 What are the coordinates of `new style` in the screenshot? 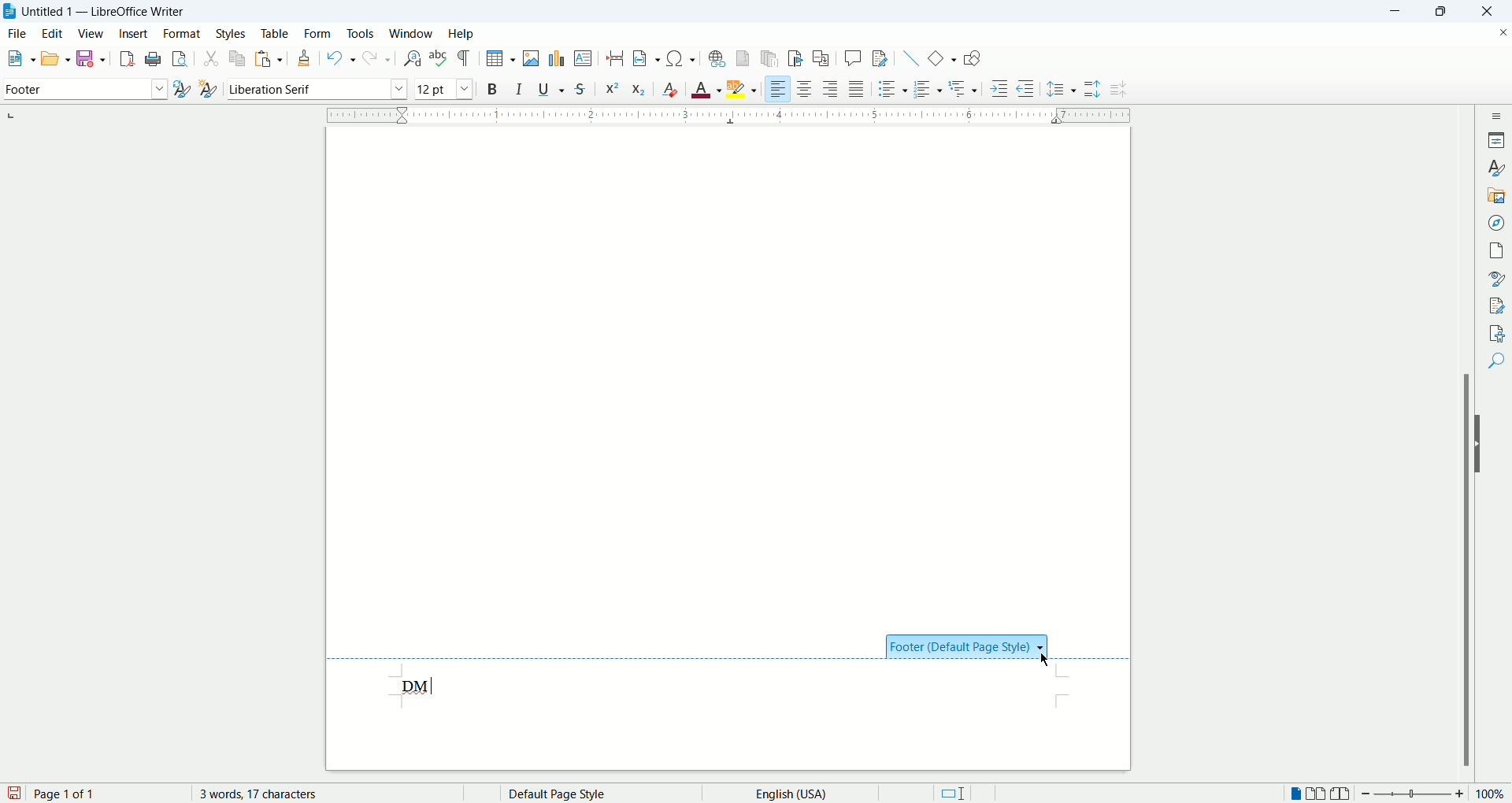 It's located at (207, 89).